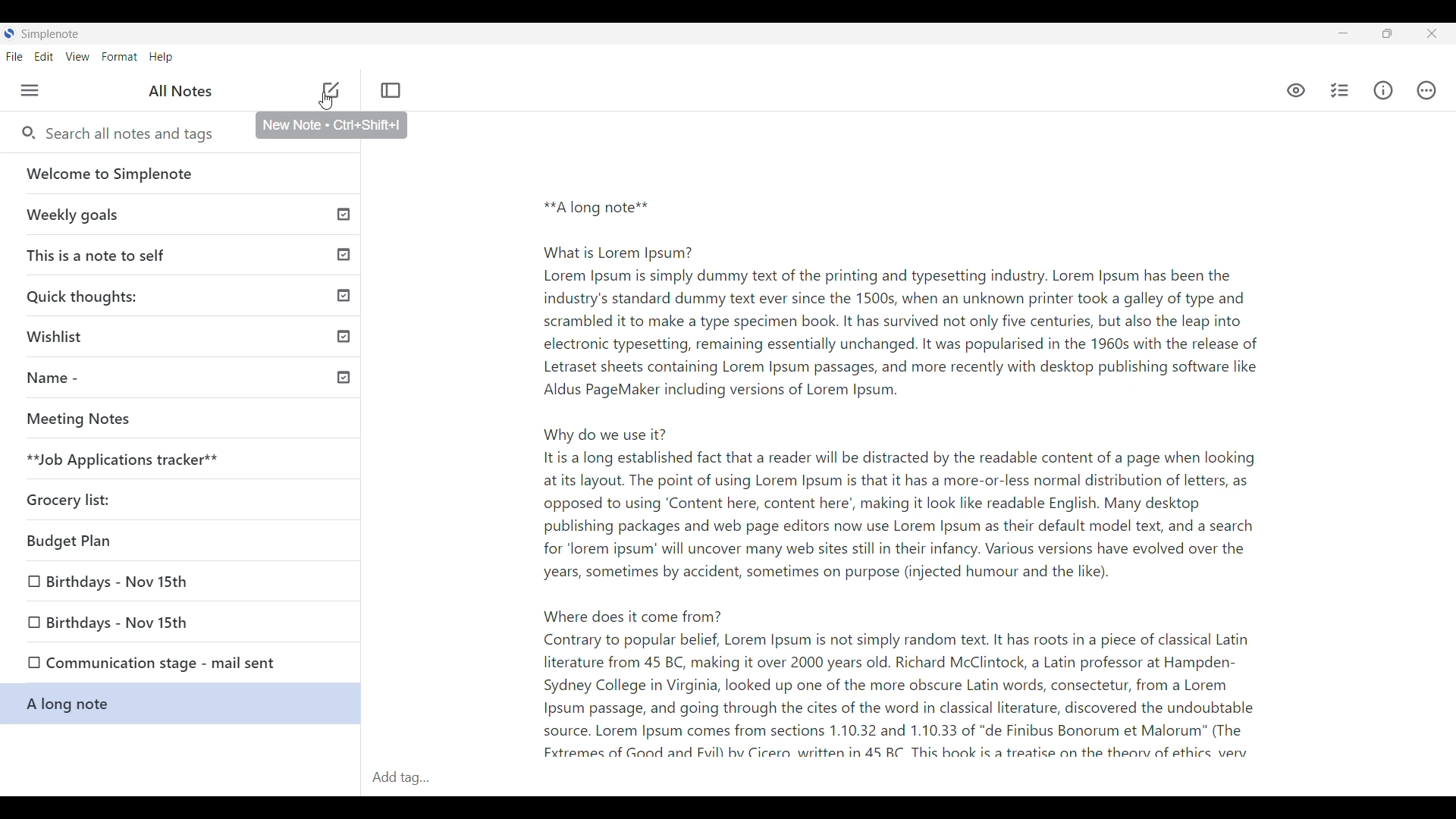 This screenshot has height=819, width=1456. What do you see at coordinates (154, 460) in the screenshot?
I see `**Job Applications tracker**` at bounding box center [154, 460].